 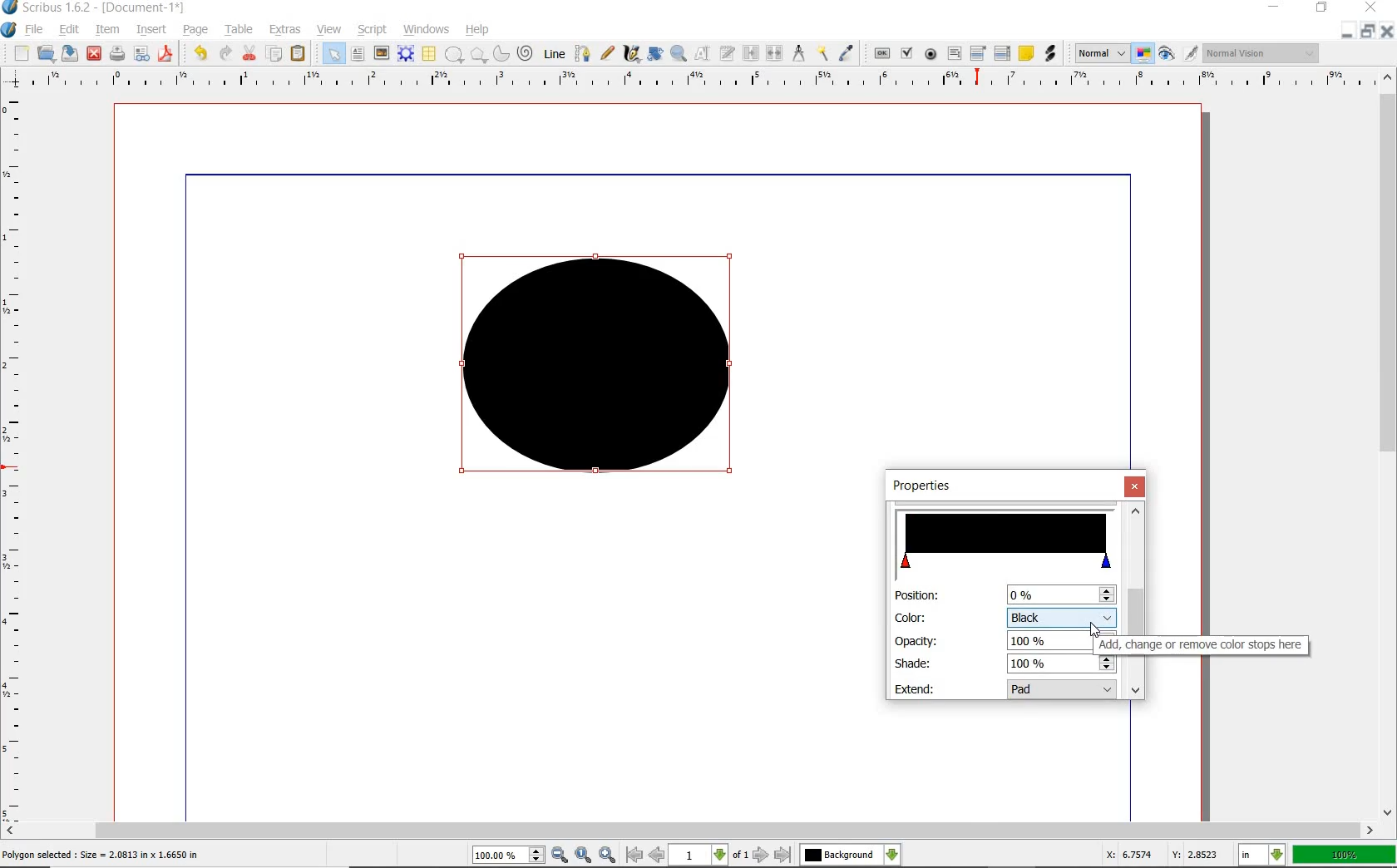 I want to click on VIEW, so click(x=329, y=28).